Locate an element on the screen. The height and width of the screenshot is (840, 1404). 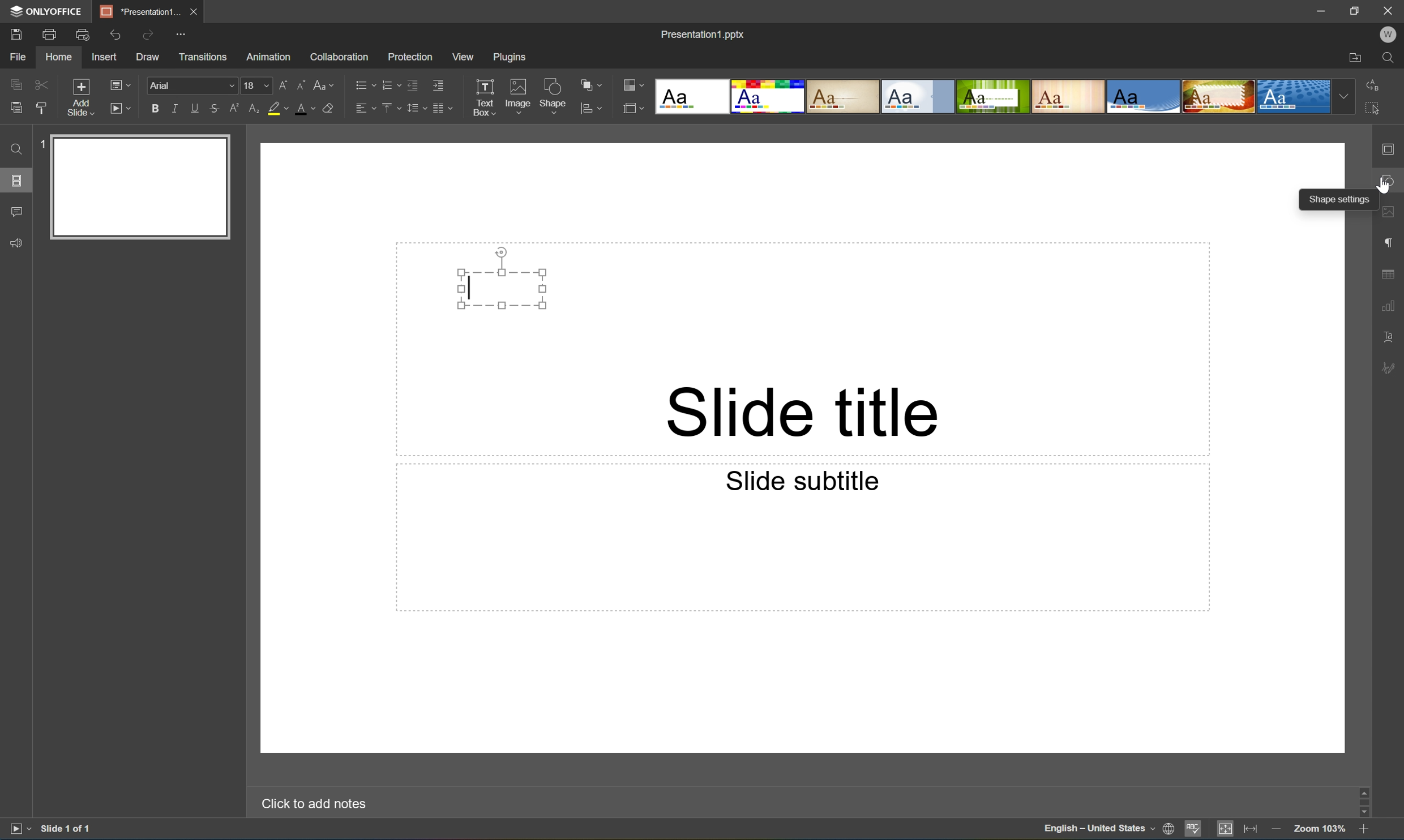
Undo is located at coordinates (113, 35).